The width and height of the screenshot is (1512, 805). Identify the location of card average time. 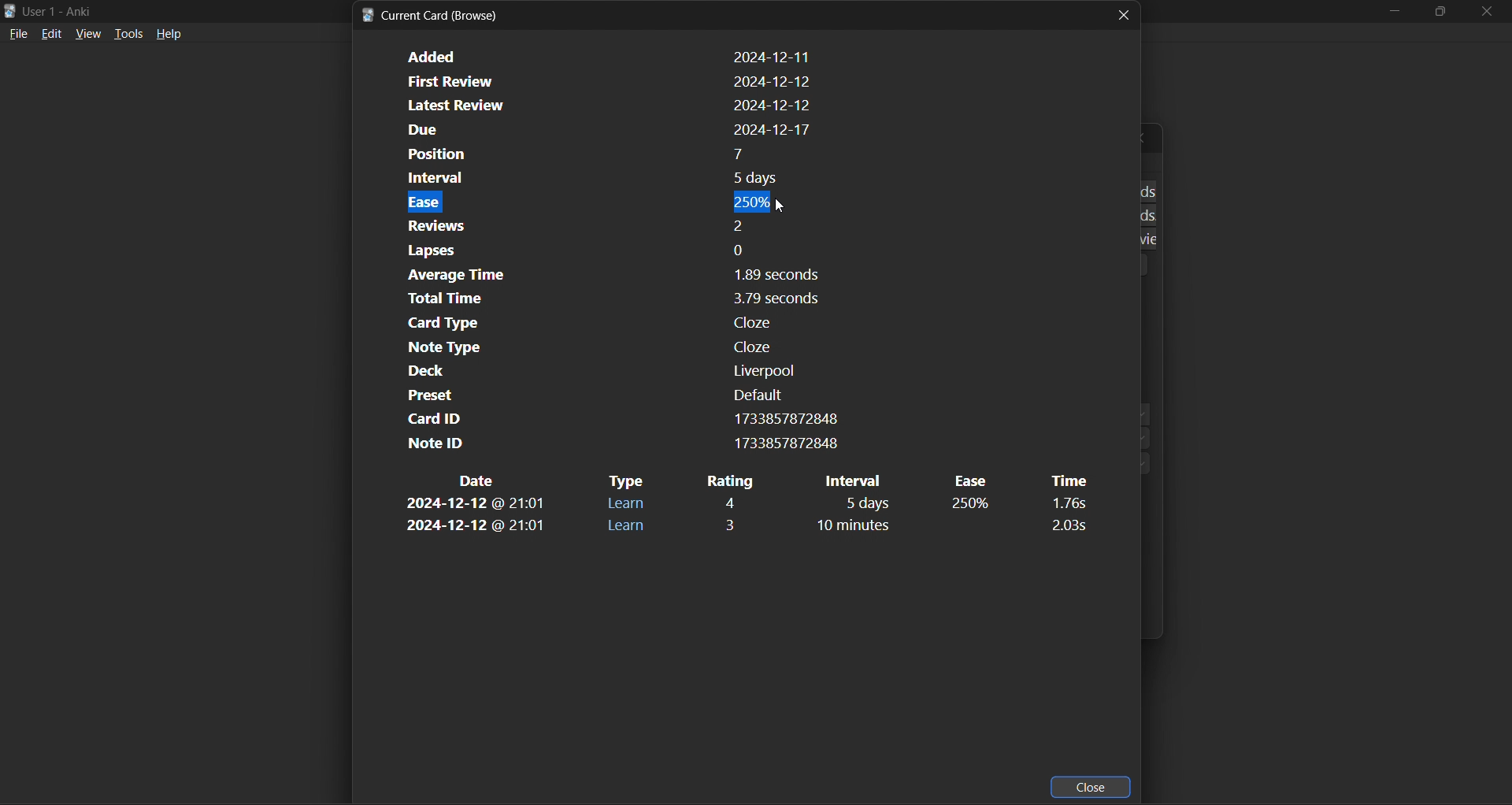
(604, 276).